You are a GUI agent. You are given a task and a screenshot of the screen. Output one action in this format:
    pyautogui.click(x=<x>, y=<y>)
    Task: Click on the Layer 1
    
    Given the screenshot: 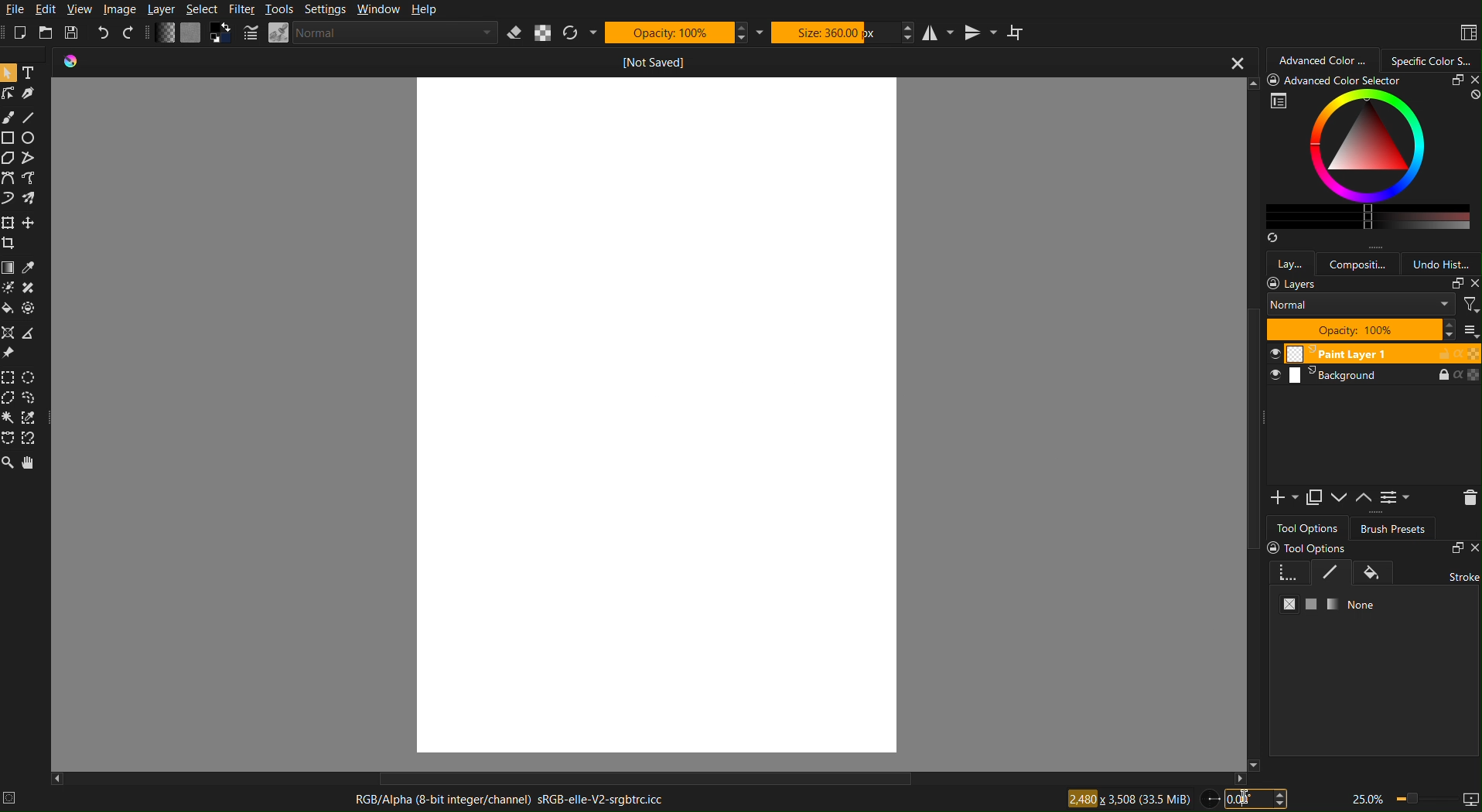 What is the action you would take?
    pyautogui.click(x=1374, y=353)
    